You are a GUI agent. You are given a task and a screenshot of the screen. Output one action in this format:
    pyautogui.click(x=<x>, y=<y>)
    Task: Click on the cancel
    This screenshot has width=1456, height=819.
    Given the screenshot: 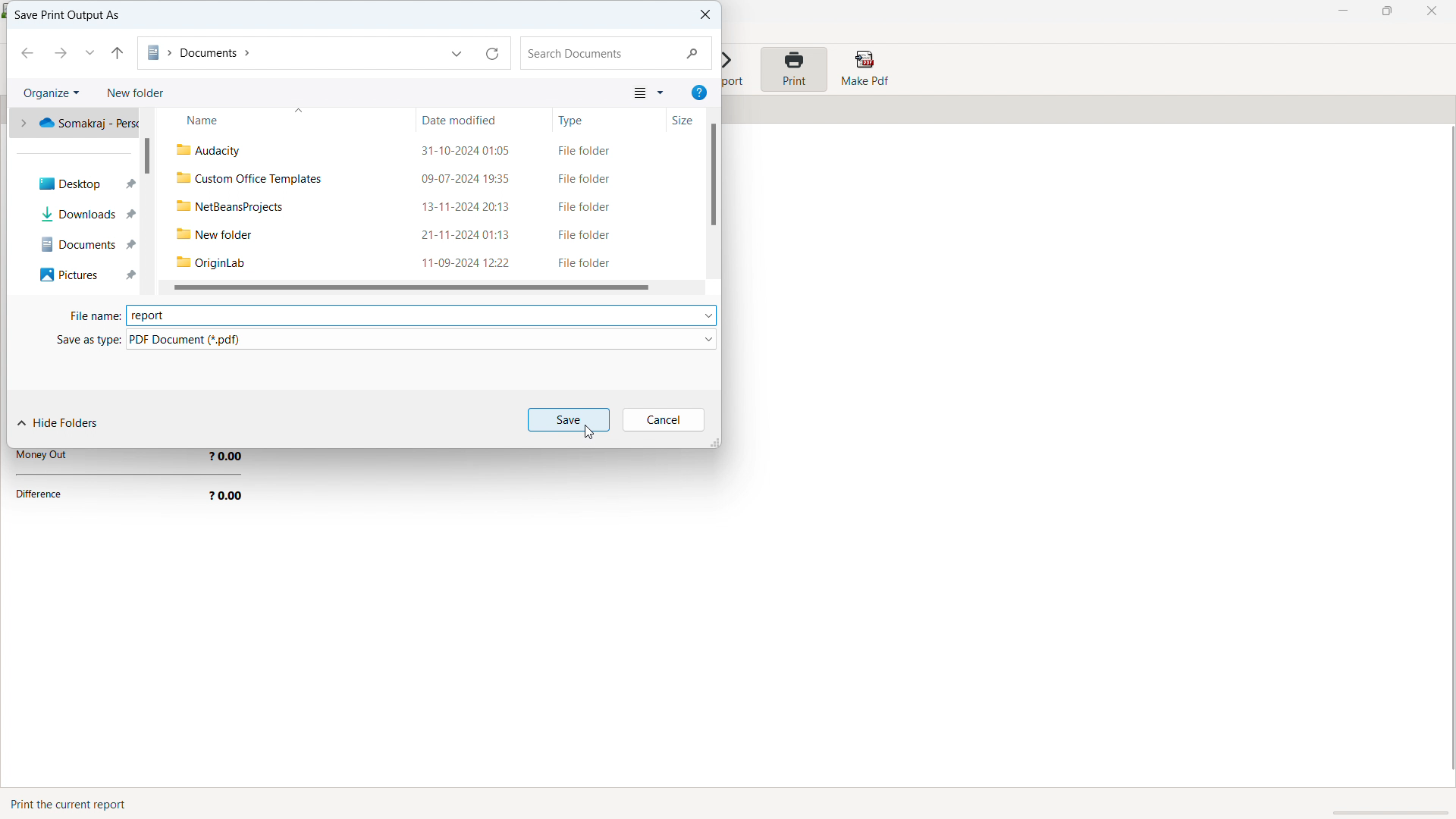 What is the action you would take?
    pyautogui.click(x=664, y=419)
    